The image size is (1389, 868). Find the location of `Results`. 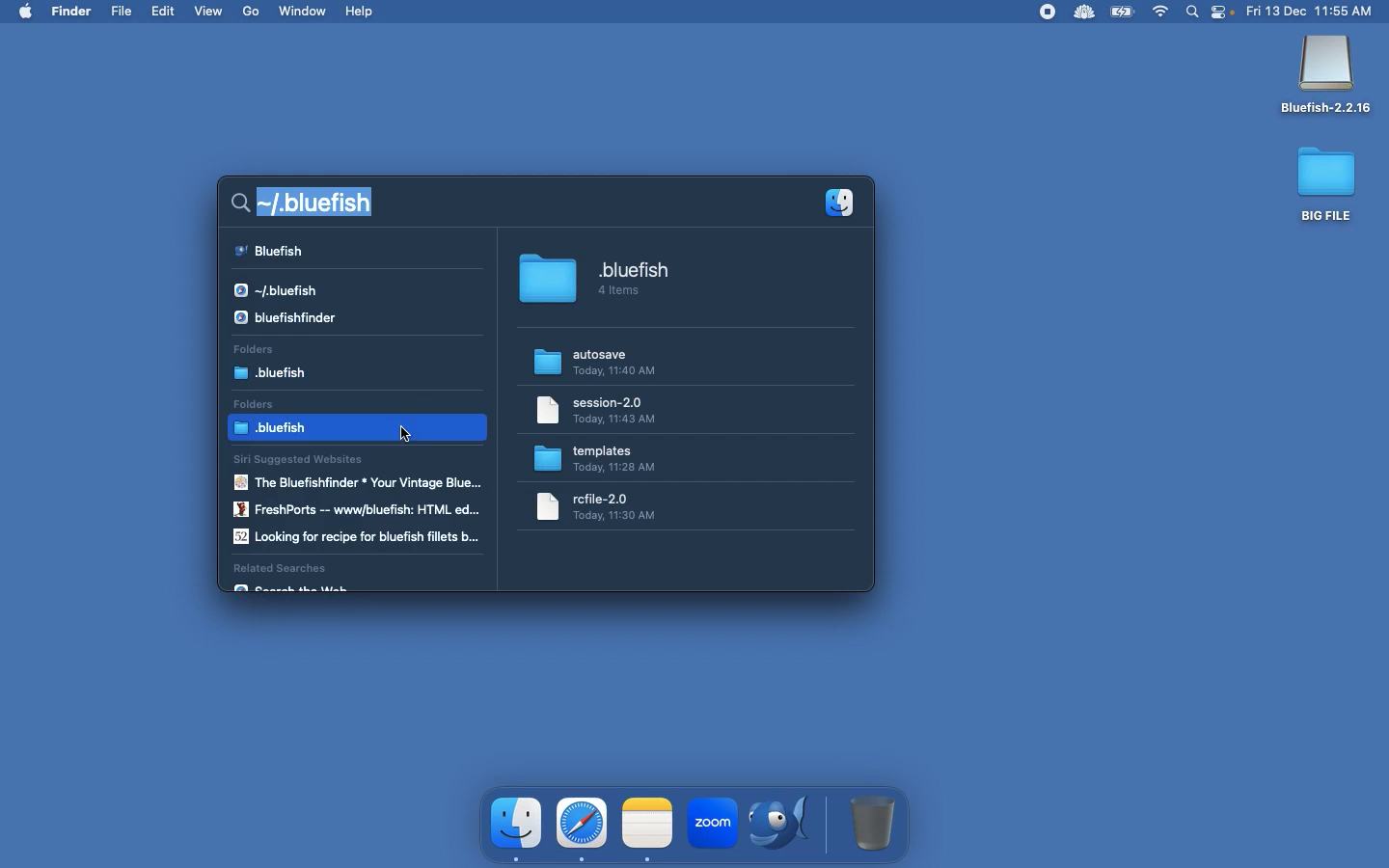

Results is located at coordinates (298, 307).